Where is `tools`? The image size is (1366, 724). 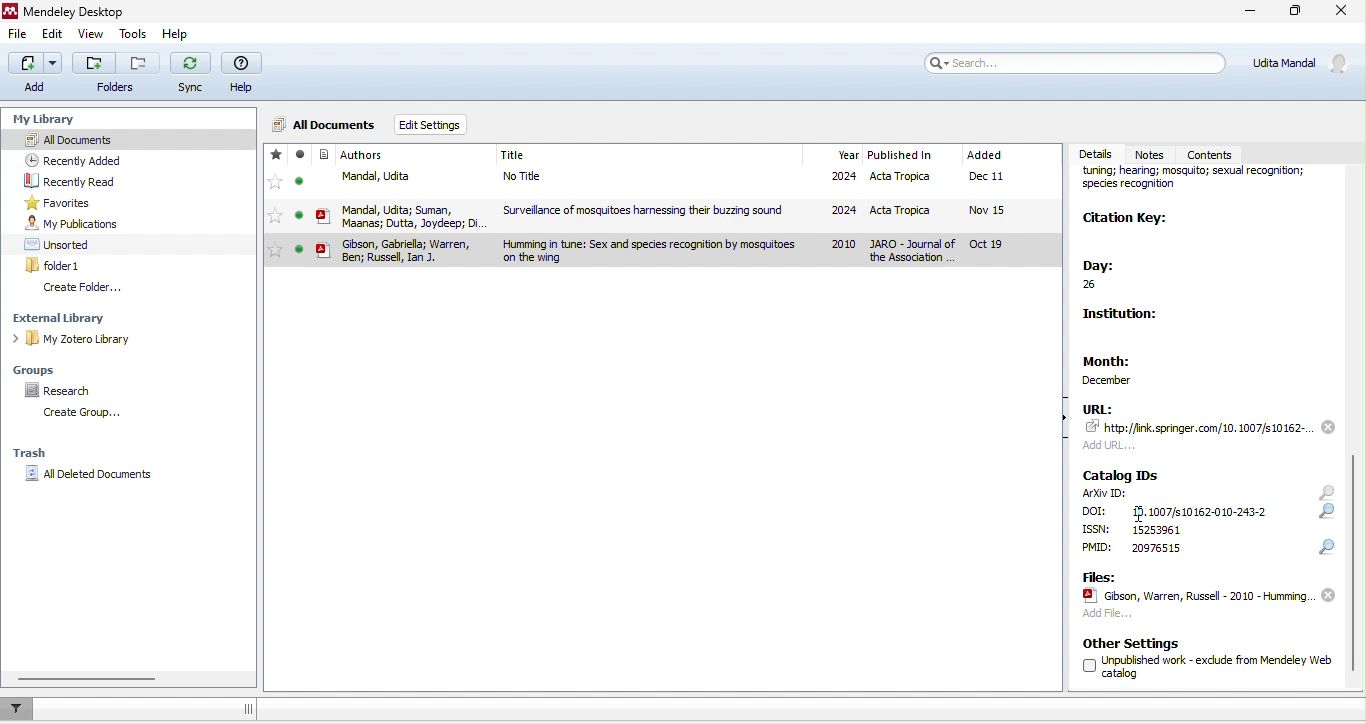 tools is located at coordinates (130, 36).